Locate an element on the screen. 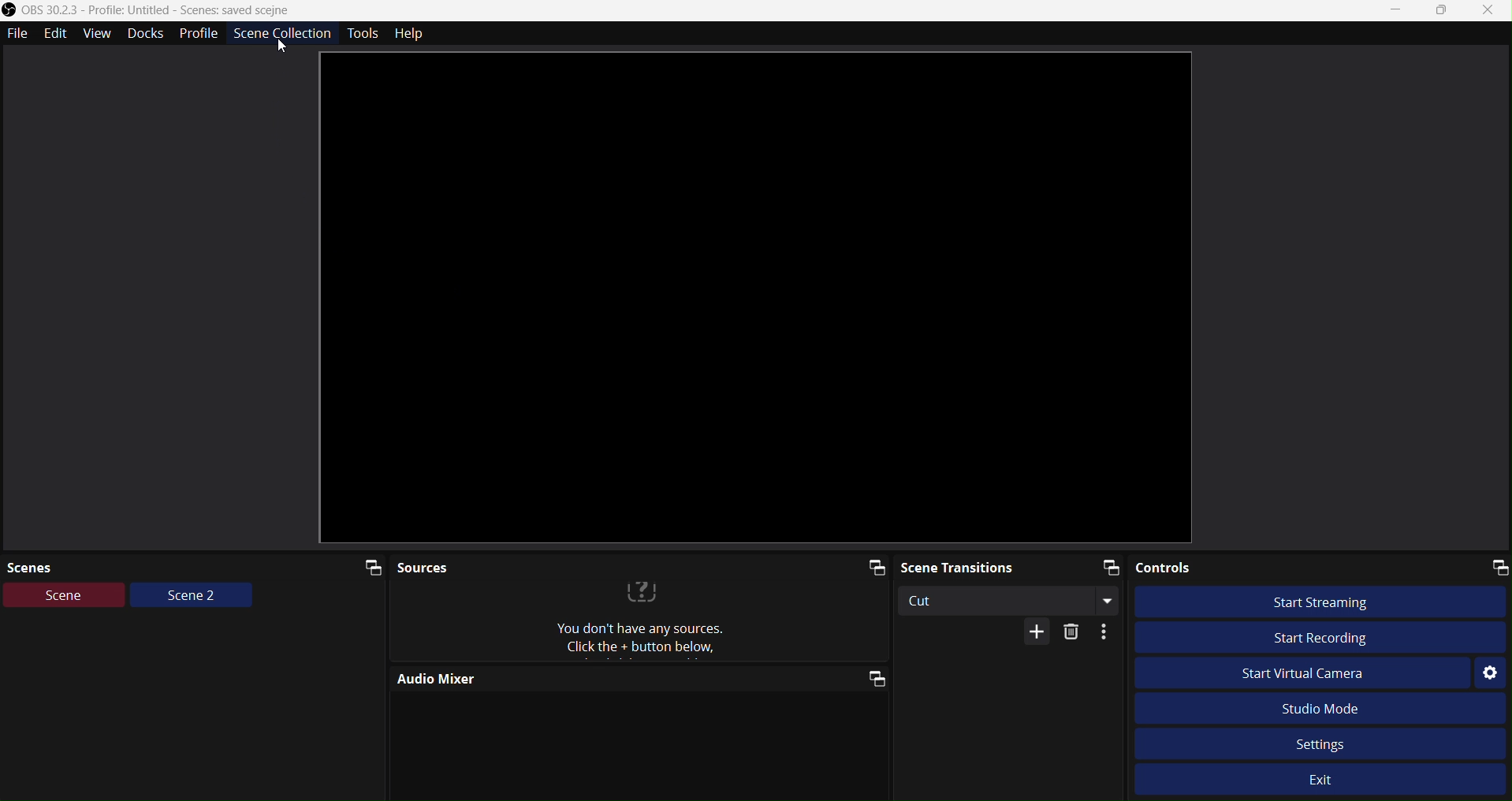 The height and width of the screenshot is (801, 1512). Start streaming is located at coordinates (1323, 601).